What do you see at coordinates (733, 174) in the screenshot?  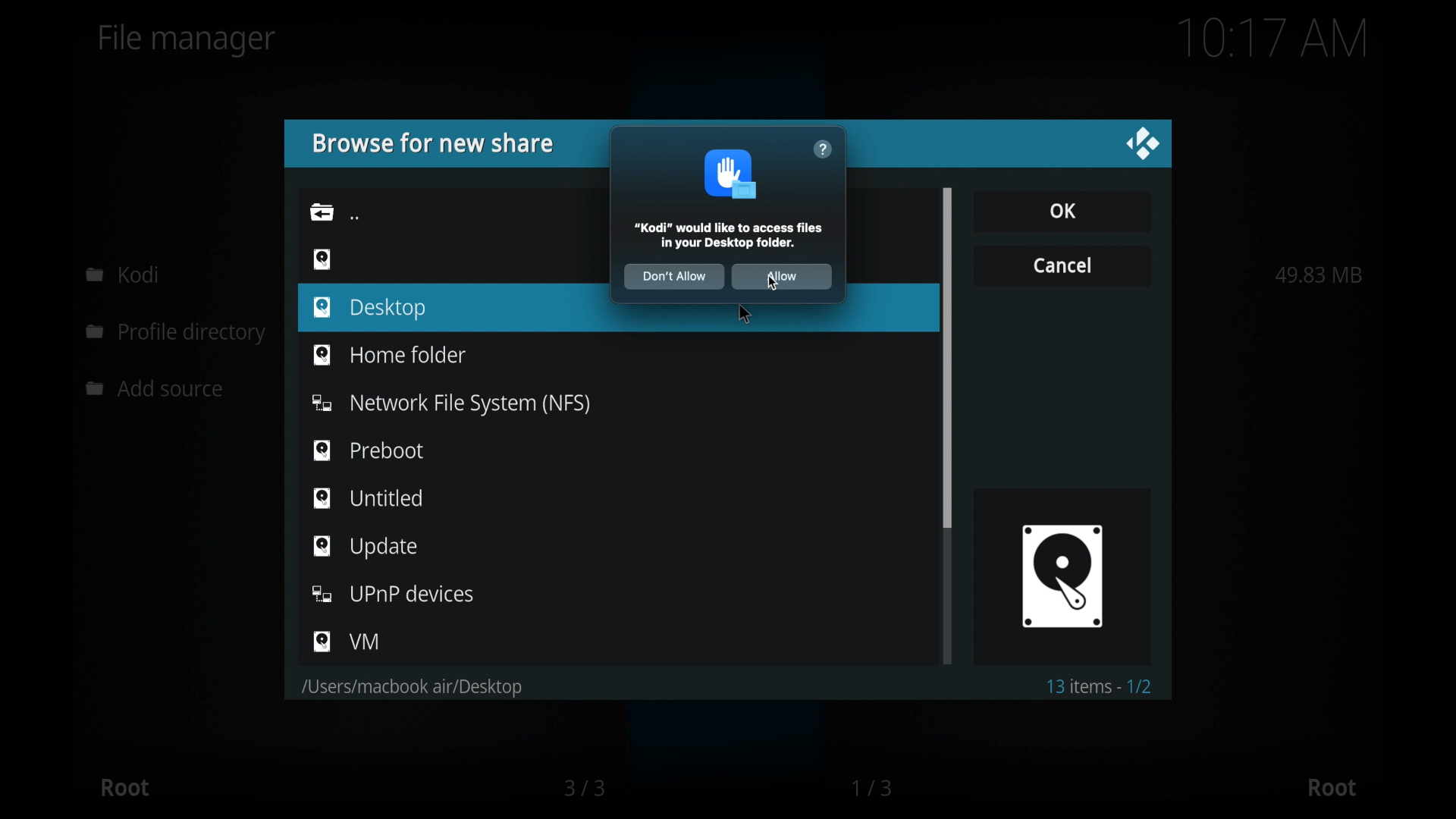 I see `stop icon` at bounding box center [733, 174].